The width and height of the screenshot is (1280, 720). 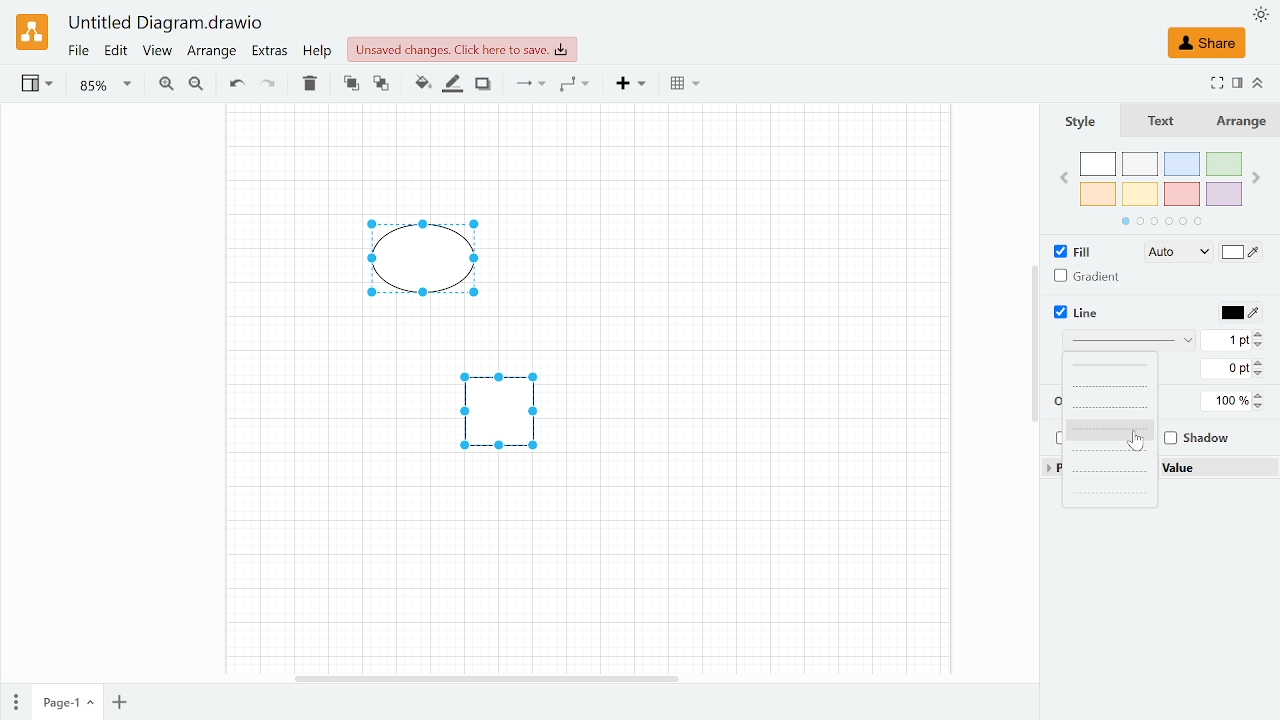 What do you see at coordinates (117, 52) in the screenshot?
I see `Edit` at bounding box center [117, 52].